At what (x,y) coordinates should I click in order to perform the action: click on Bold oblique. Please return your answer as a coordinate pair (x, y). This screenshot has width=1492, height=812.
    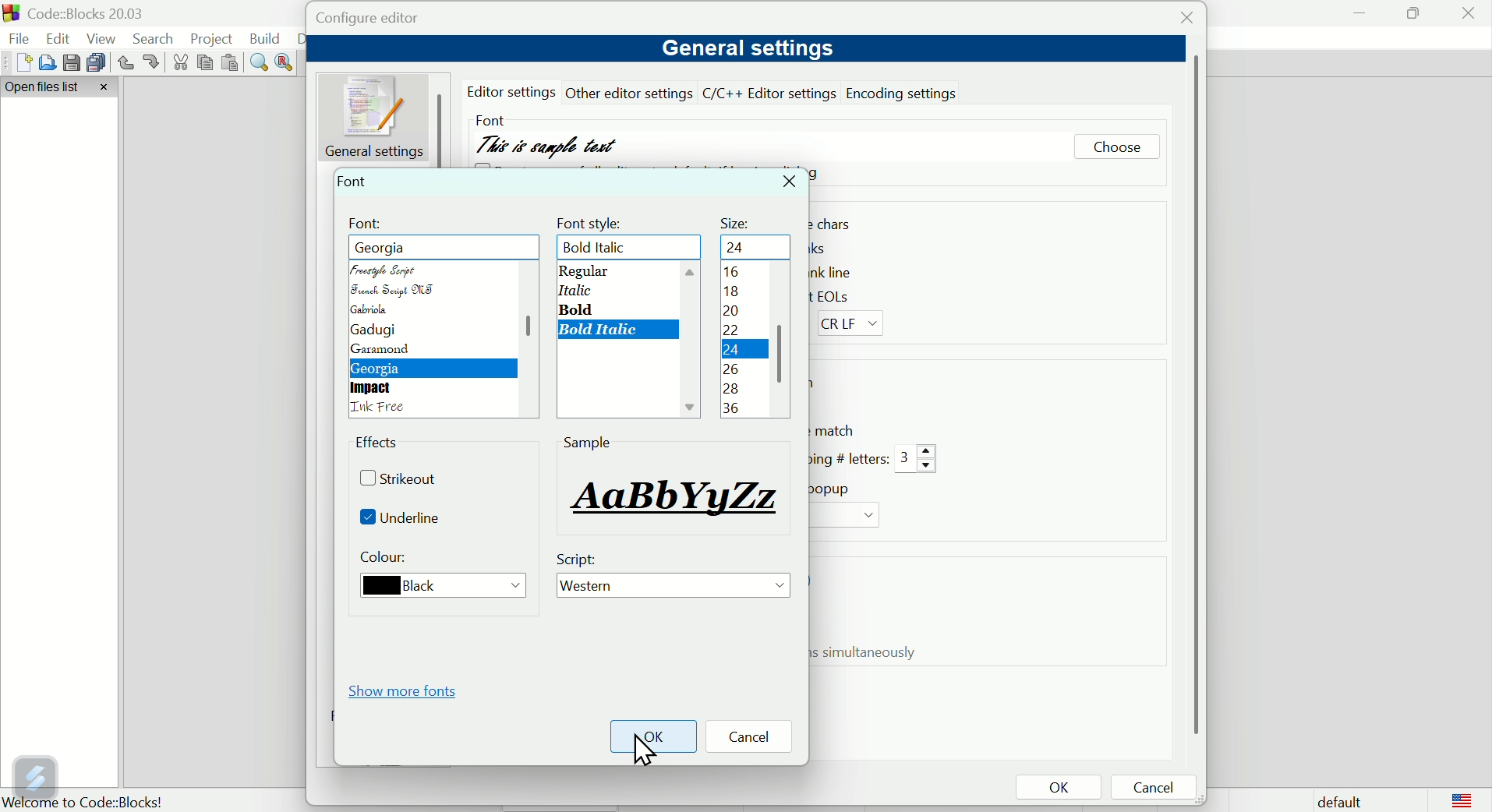
    Looking at the image, I should click on (602, 330).